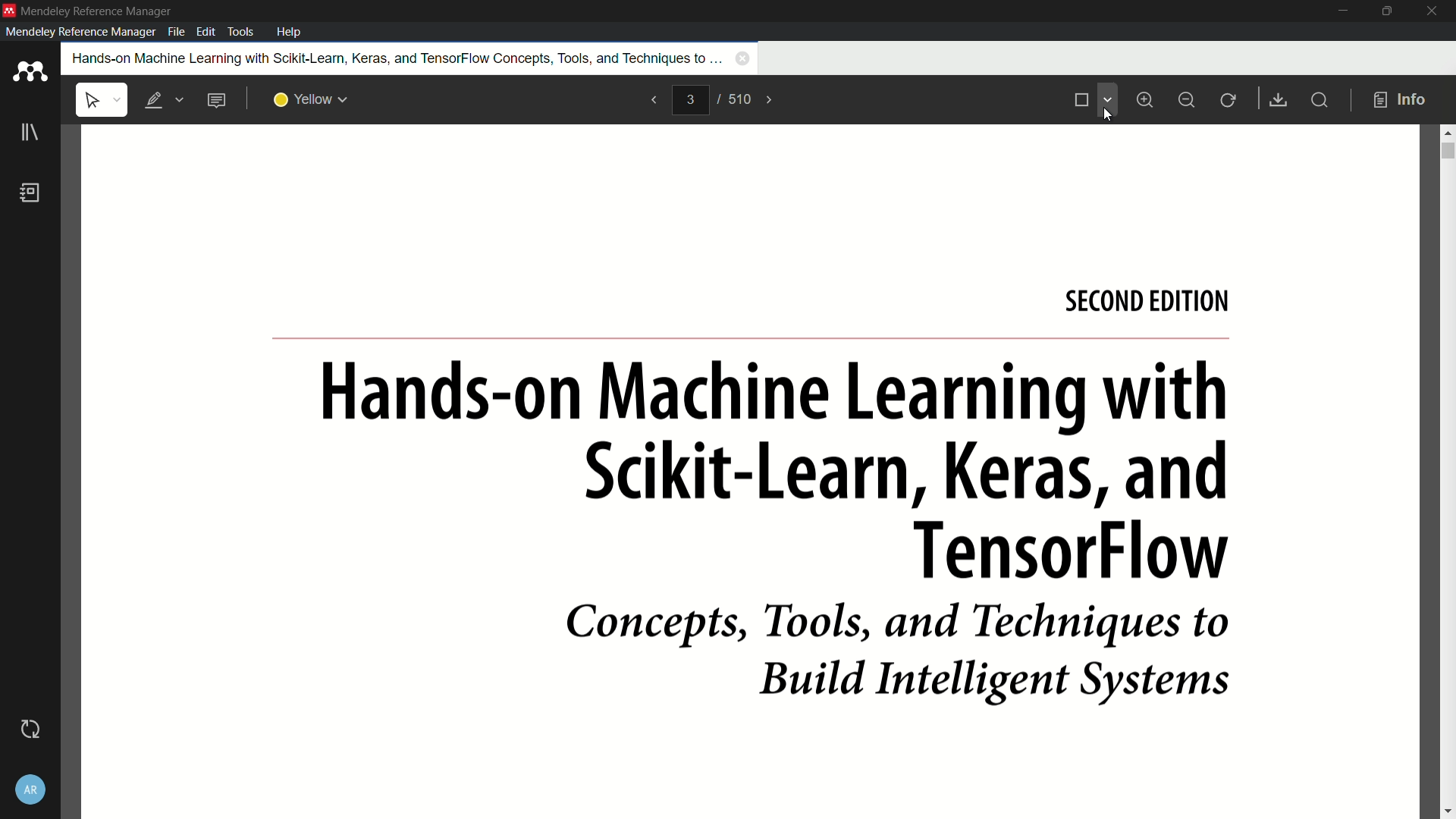  I want to click on view mode dropdown, so click(1107, 99).